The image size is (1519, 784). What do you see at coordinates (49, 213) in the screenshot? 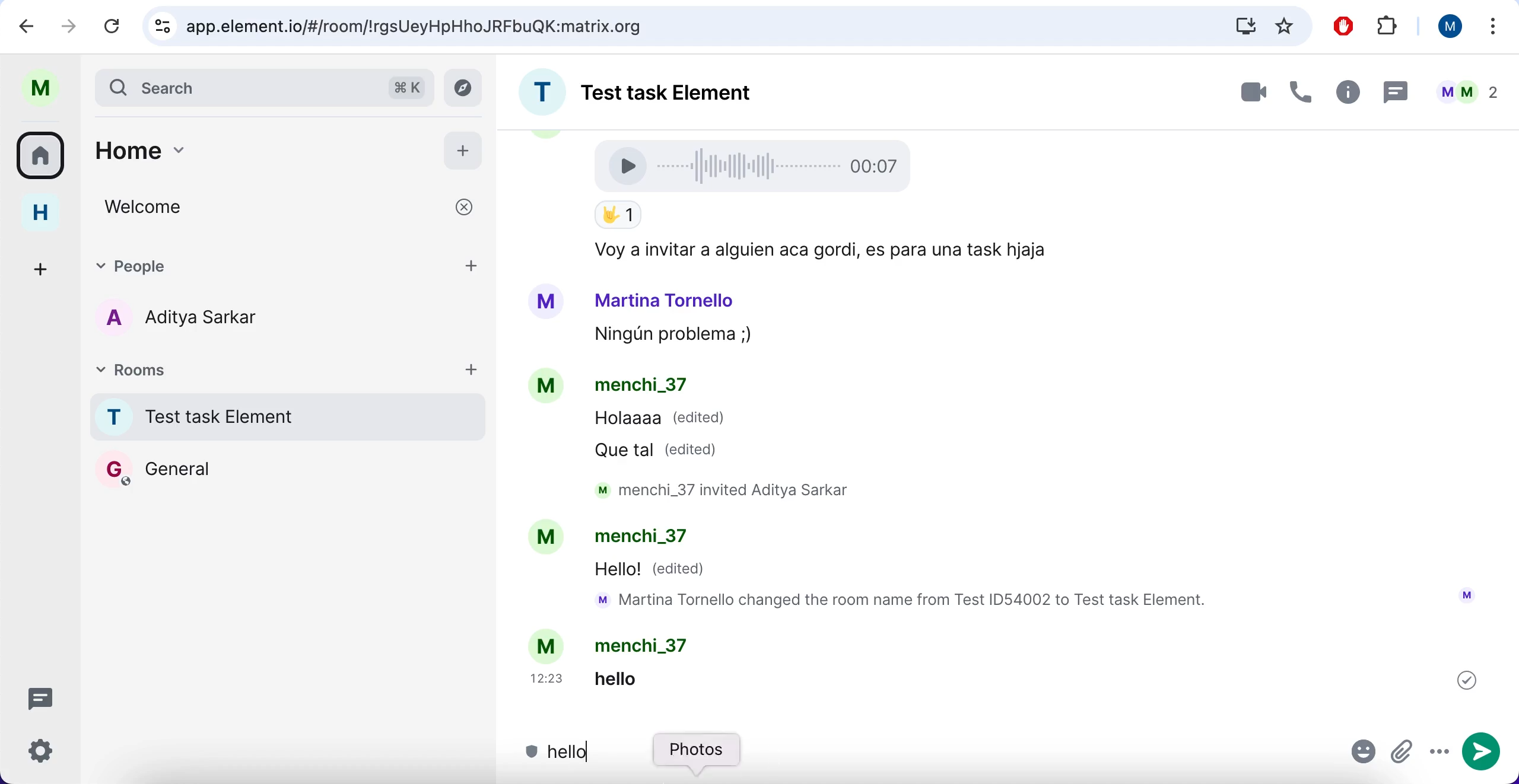
I see `home` at bounding box center [49, 213].